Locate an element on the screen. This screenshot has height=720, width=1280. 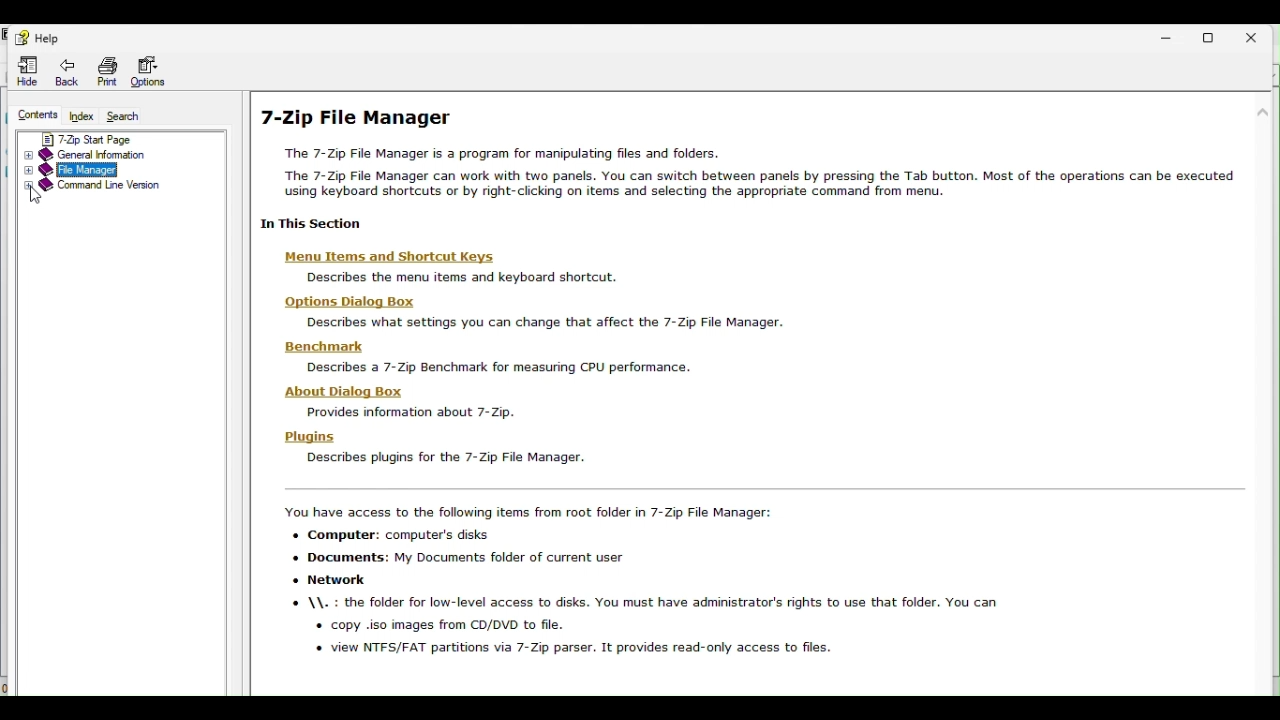
You have access to the following items from root folder in 7-Zip File Manager:
+ Computer: computer's disks
+ Documents: My Documents folder of current user
«+ Network
© \\. : the folder for low-level access to disks. You must have administrator's rights to use that folder. You can
« copy .iso images from CD/DVD to file.
« view NTFS/FAT partitions via 7-Zip parser. It provides read-only access to files. is located at coordinates (642, 580).